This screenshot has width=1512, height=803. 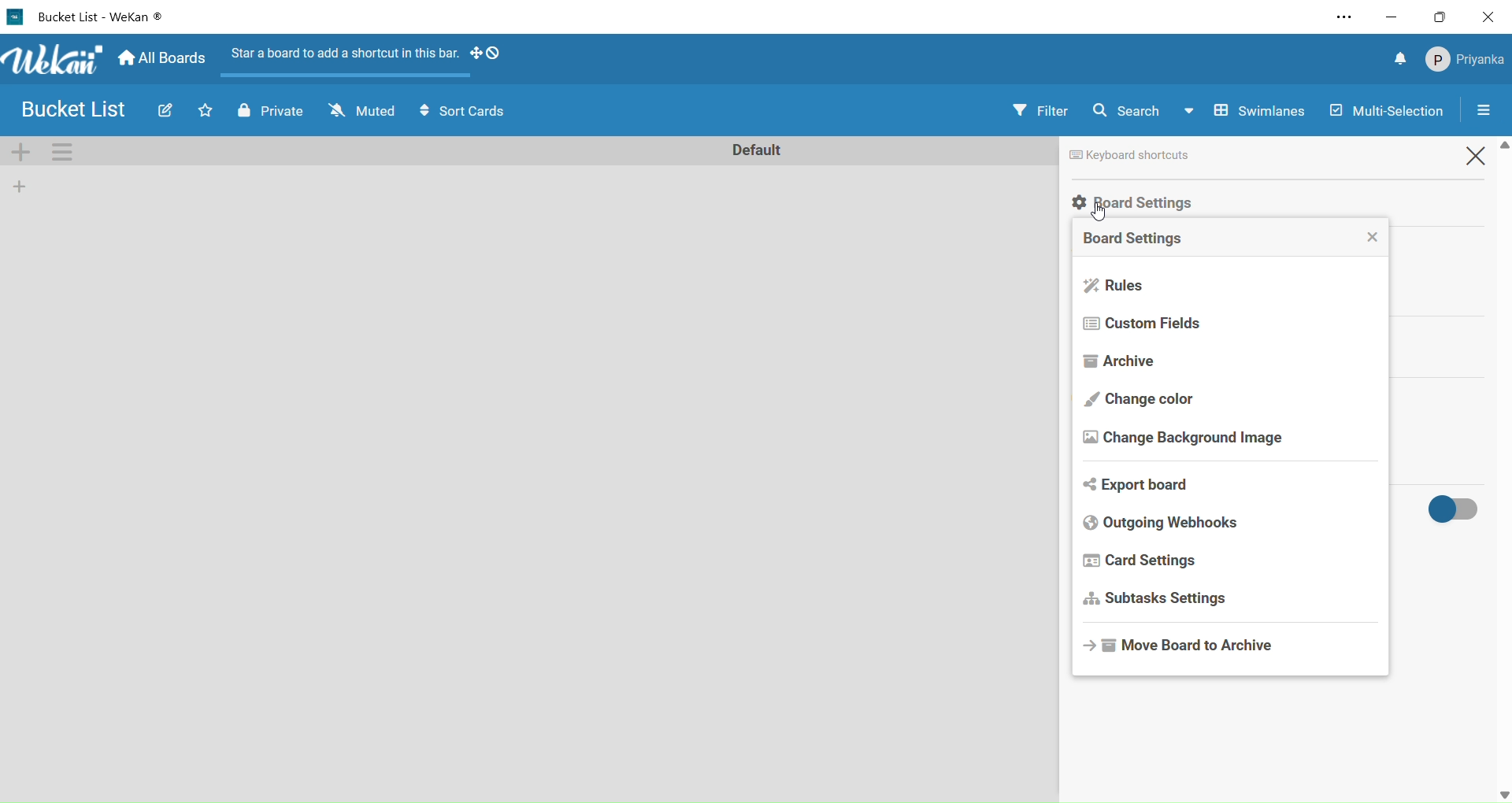 I want to click on private, so click(x=273, y=111).